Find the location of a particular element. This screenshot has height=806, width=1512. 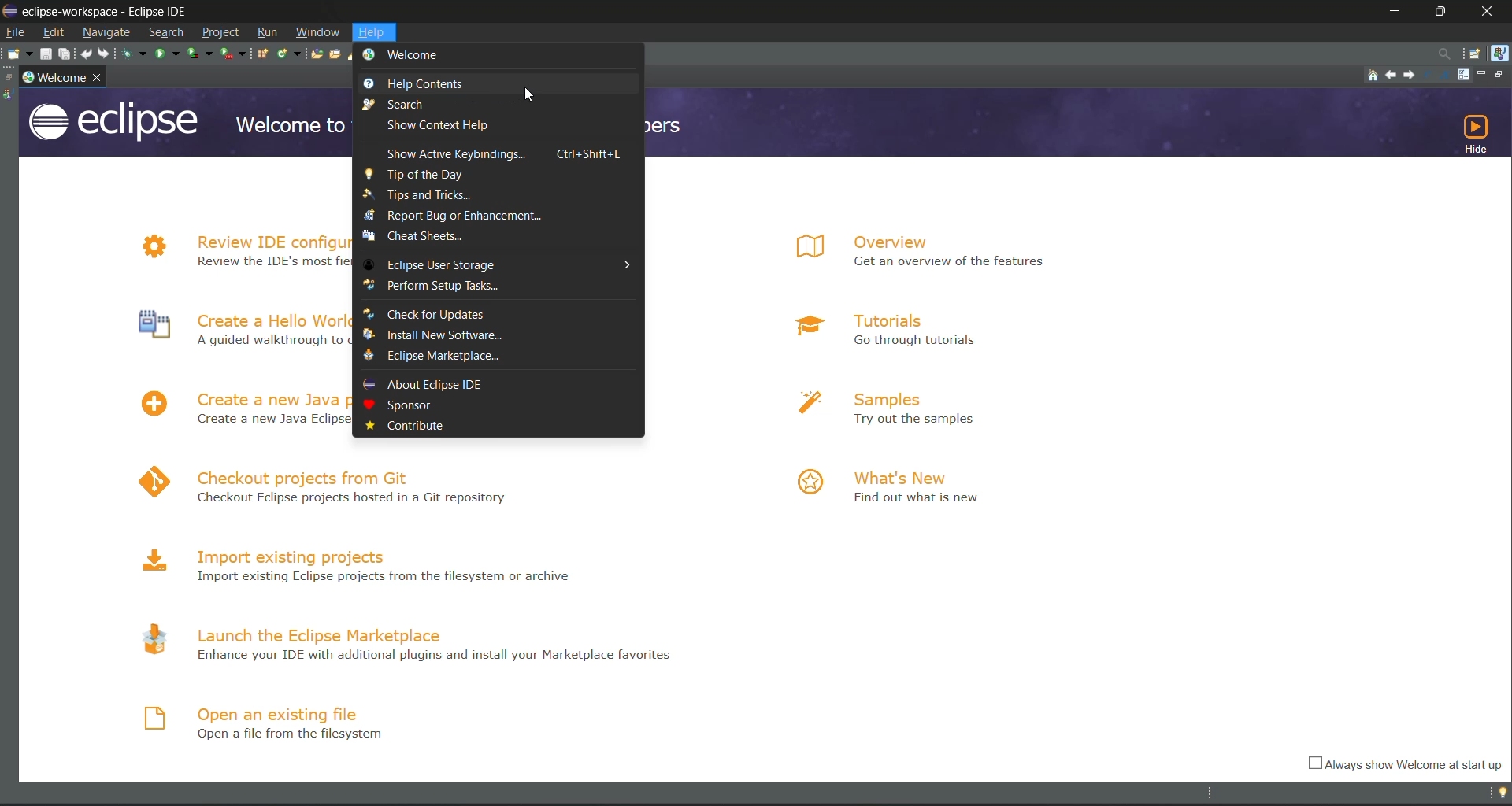

open task is located at coordinates (332, 54).